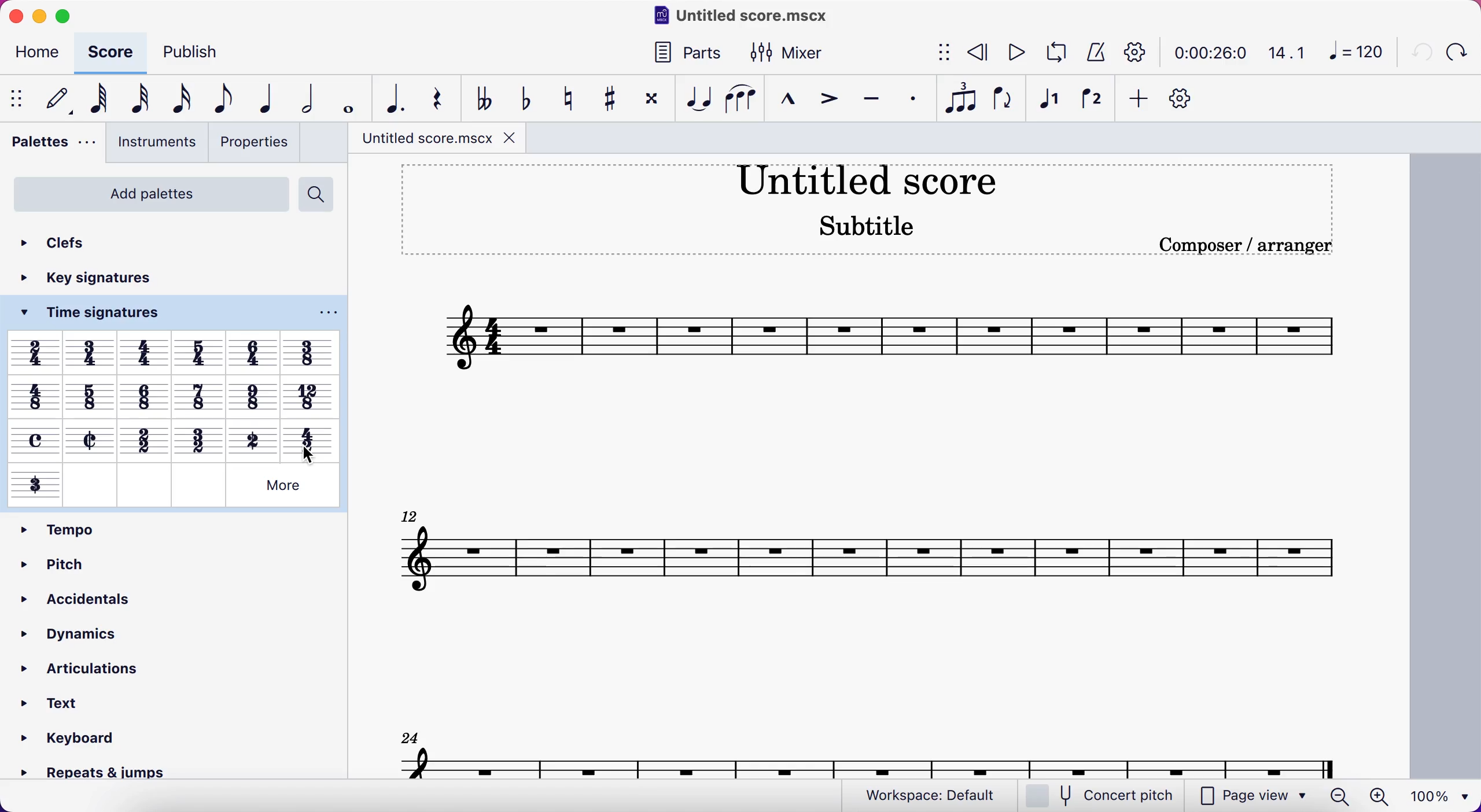 This screenshot has height=812, width=1481. I want to click on , so click(311, 352).